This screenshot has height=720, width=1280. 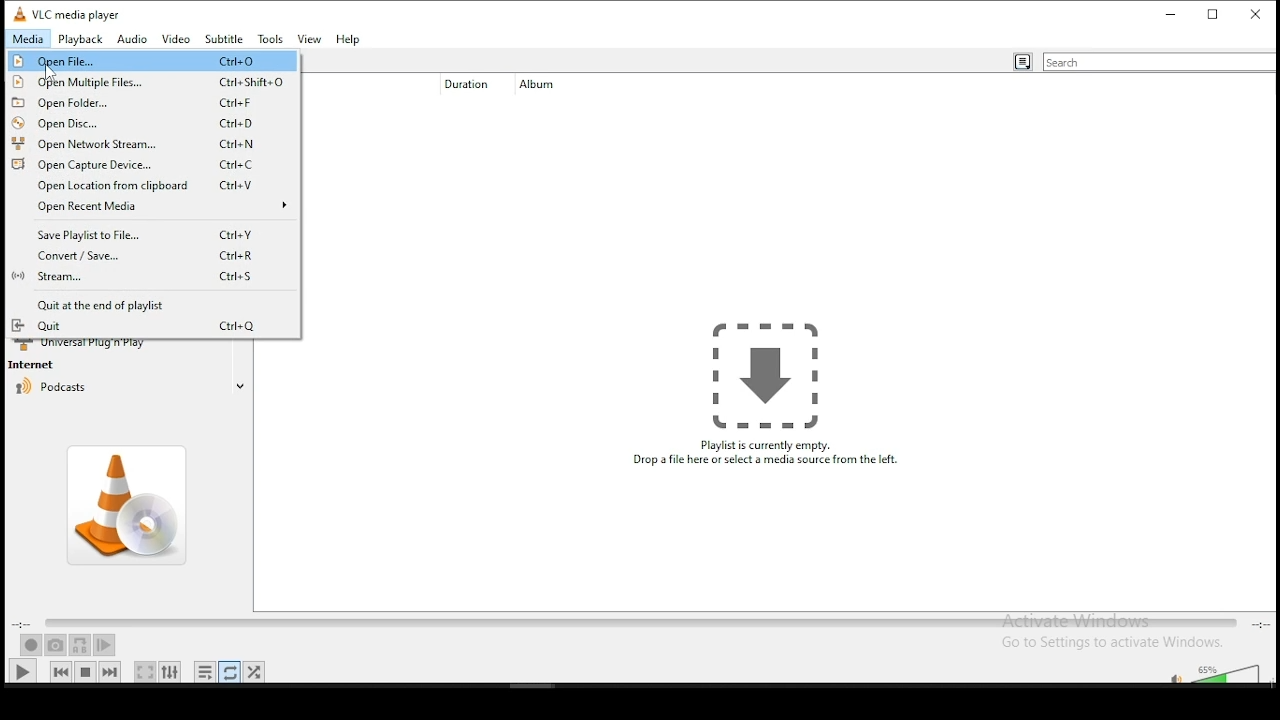 What do you see at coordinates (154, 82) in the screenshot?
I see `open multiple file` at bounding box center [154, 82].